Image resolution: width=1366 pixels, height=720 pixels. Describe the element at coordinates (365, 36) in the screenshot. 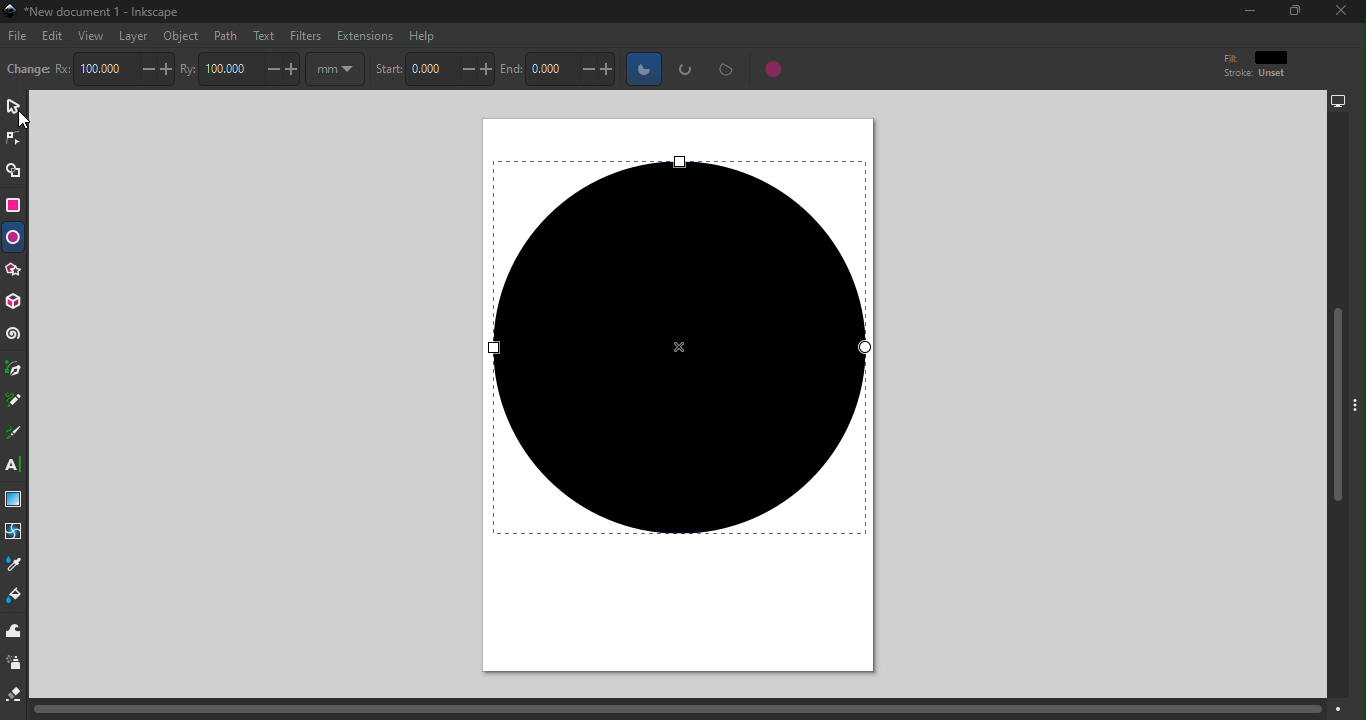

I see `Extensions` at that location.